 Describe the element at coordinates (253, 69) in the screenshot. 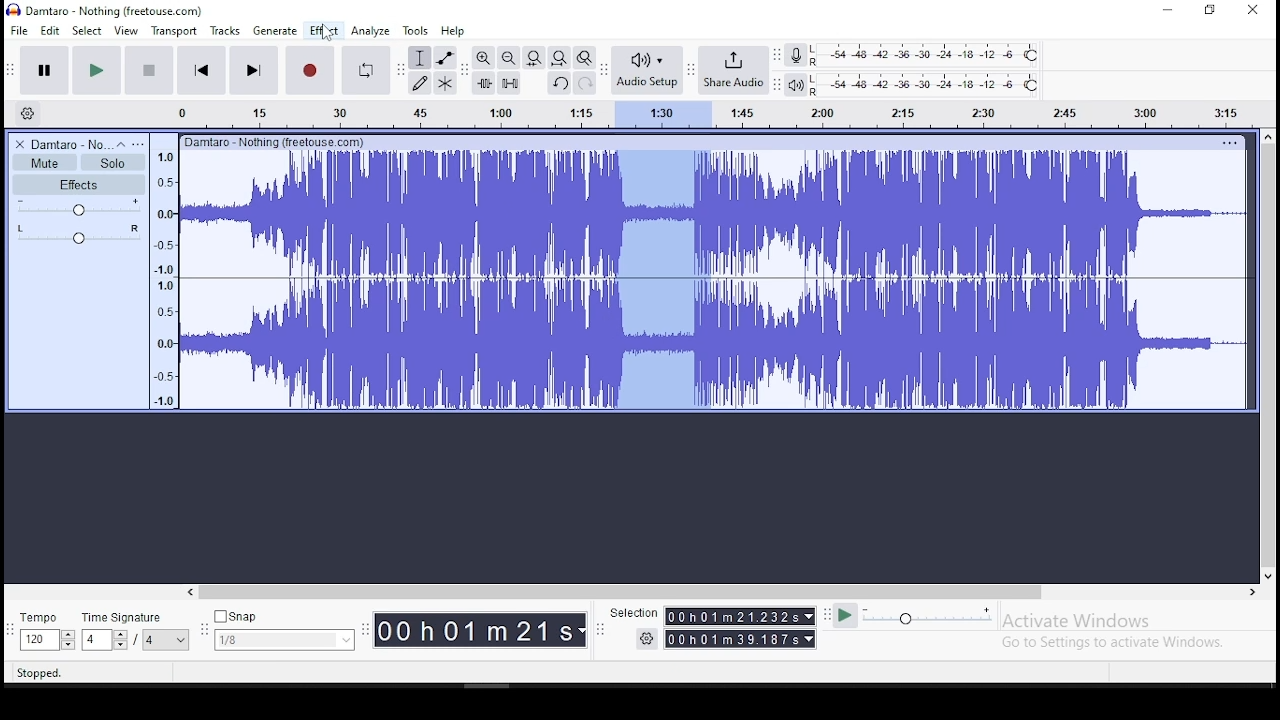

I see `skip to start` at that location.